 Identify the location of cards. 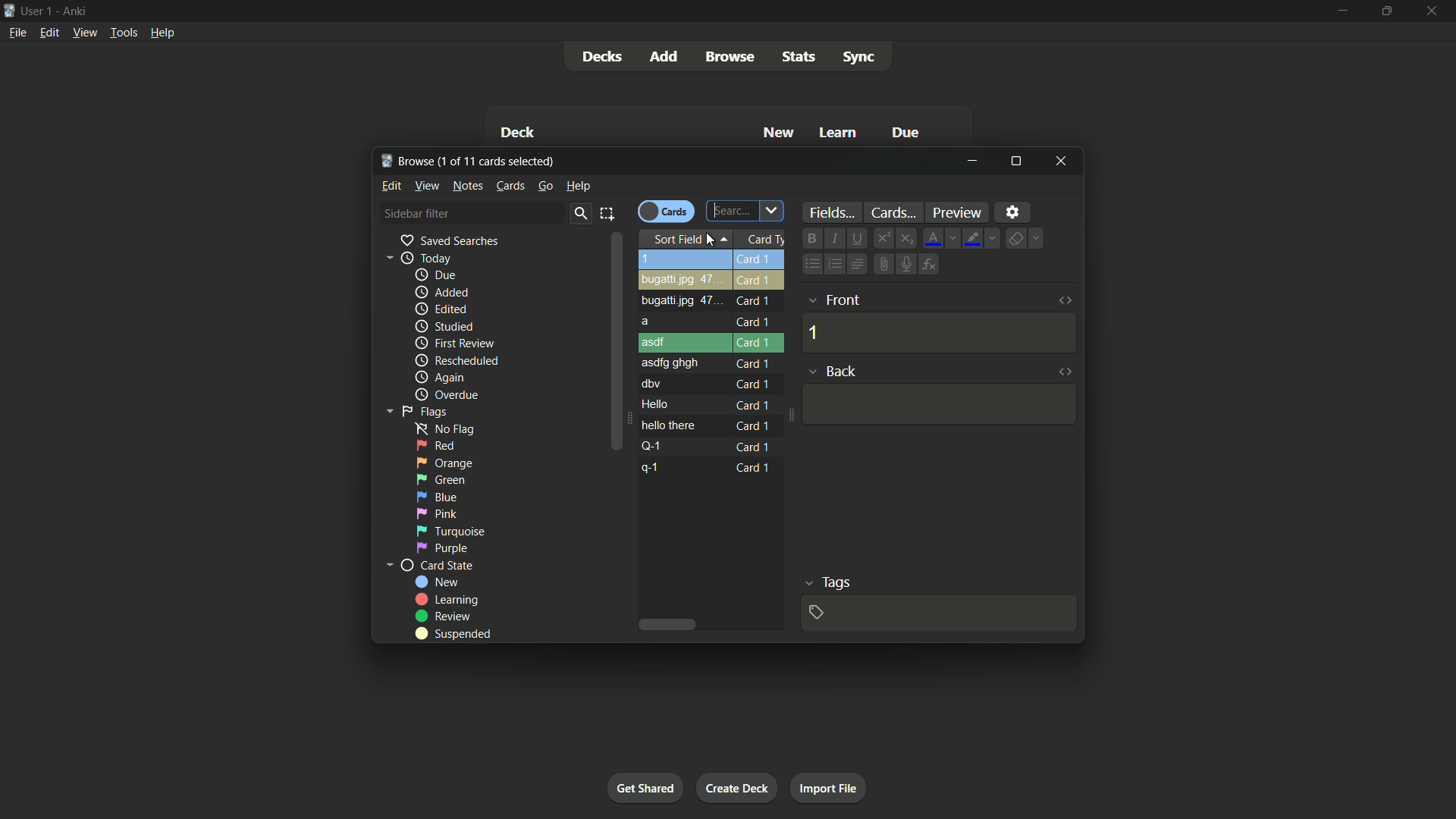
(892, 212).